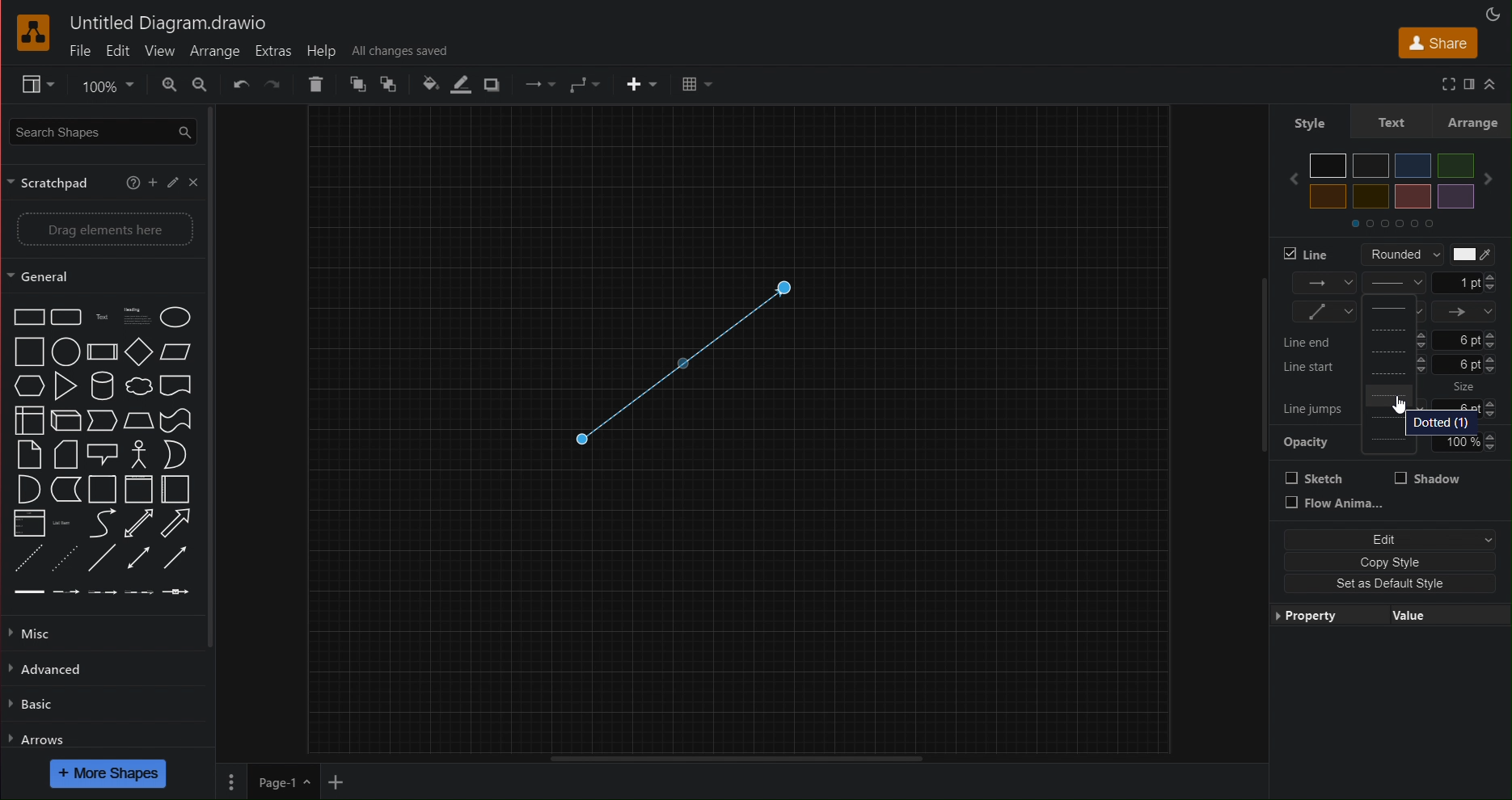  What do you see at coordinates (1379, 584) in the screenshot?
I see `Set as Default Style` at bounding box center [1379, 584].